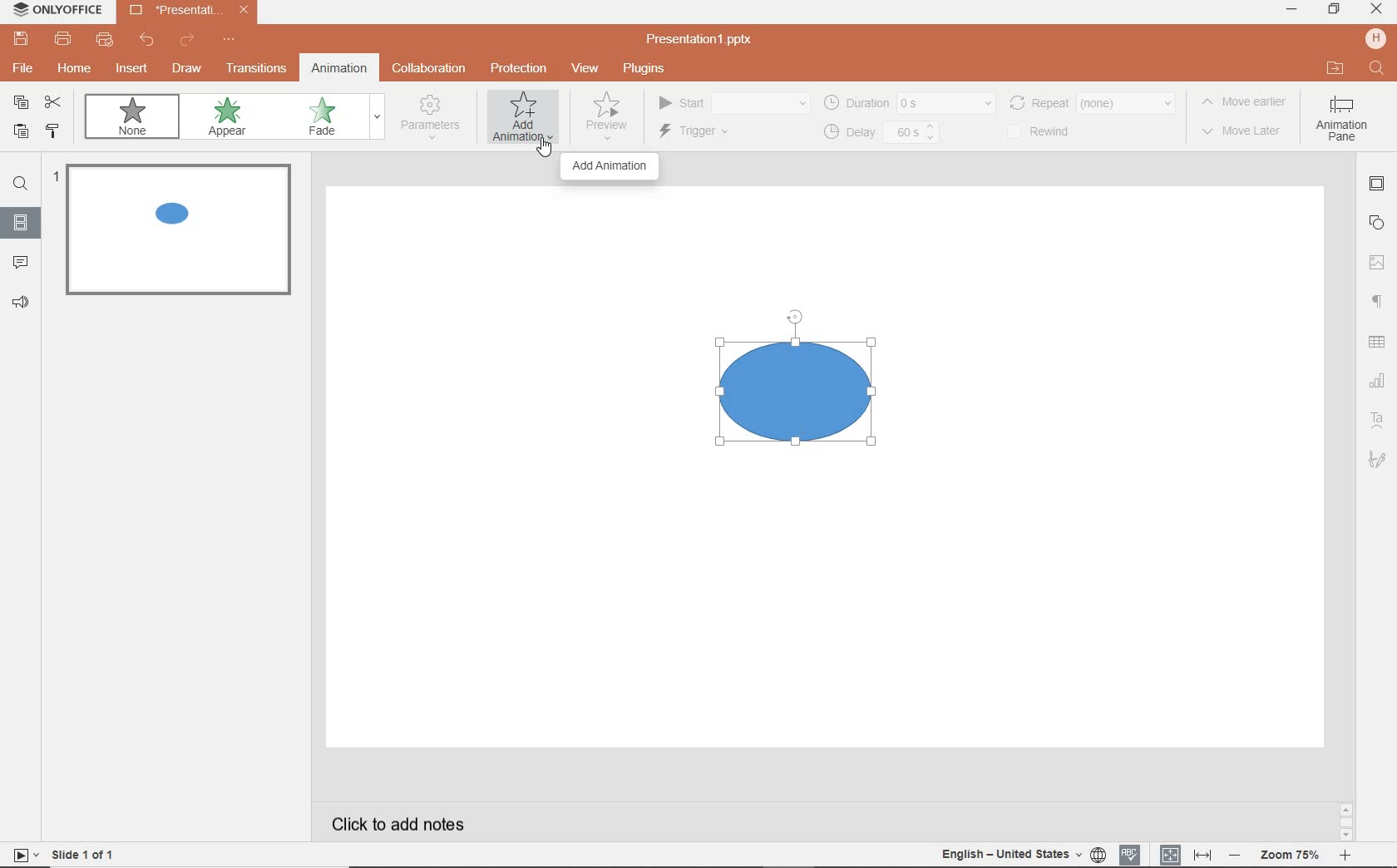 This screenshot has width=1397, height=868. I want to click on insert, so click(129, 69).